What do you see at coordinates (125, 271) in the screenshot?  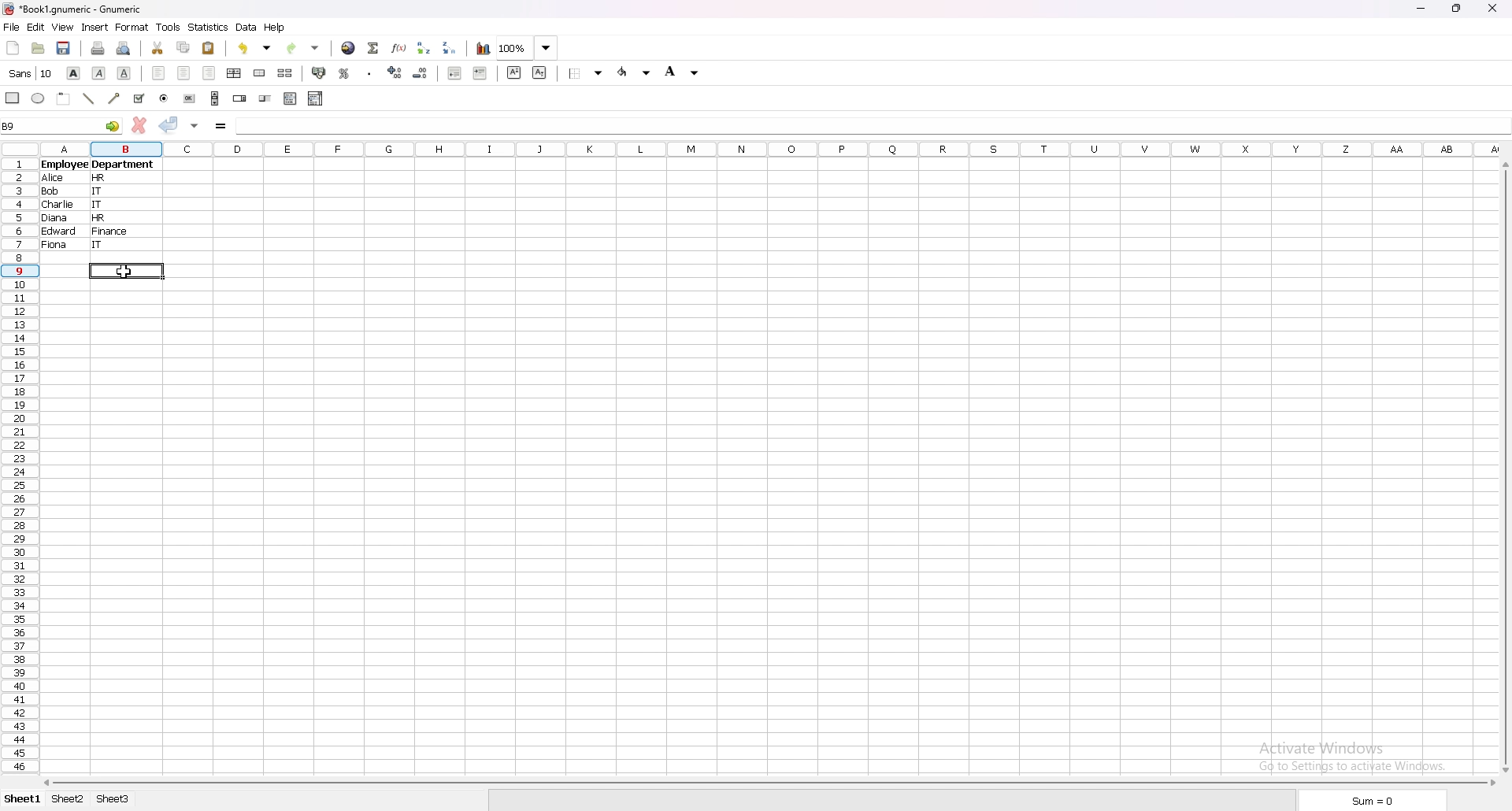 I see `selected cell` at bounding box center [125, 271].